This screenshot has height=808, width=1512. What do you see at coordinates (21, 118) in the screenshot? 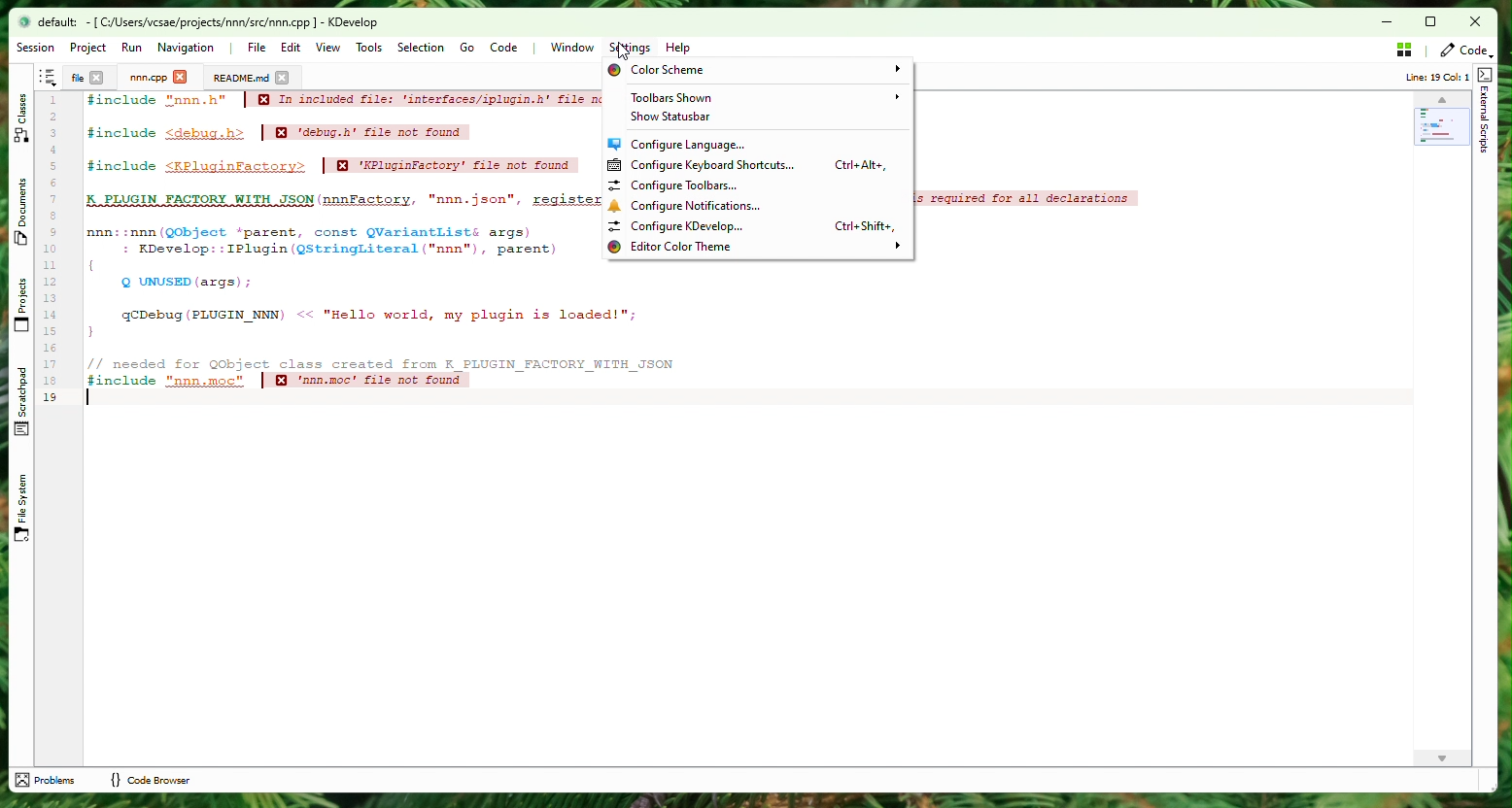
I see `Classes` at bounding box center [21, 118].